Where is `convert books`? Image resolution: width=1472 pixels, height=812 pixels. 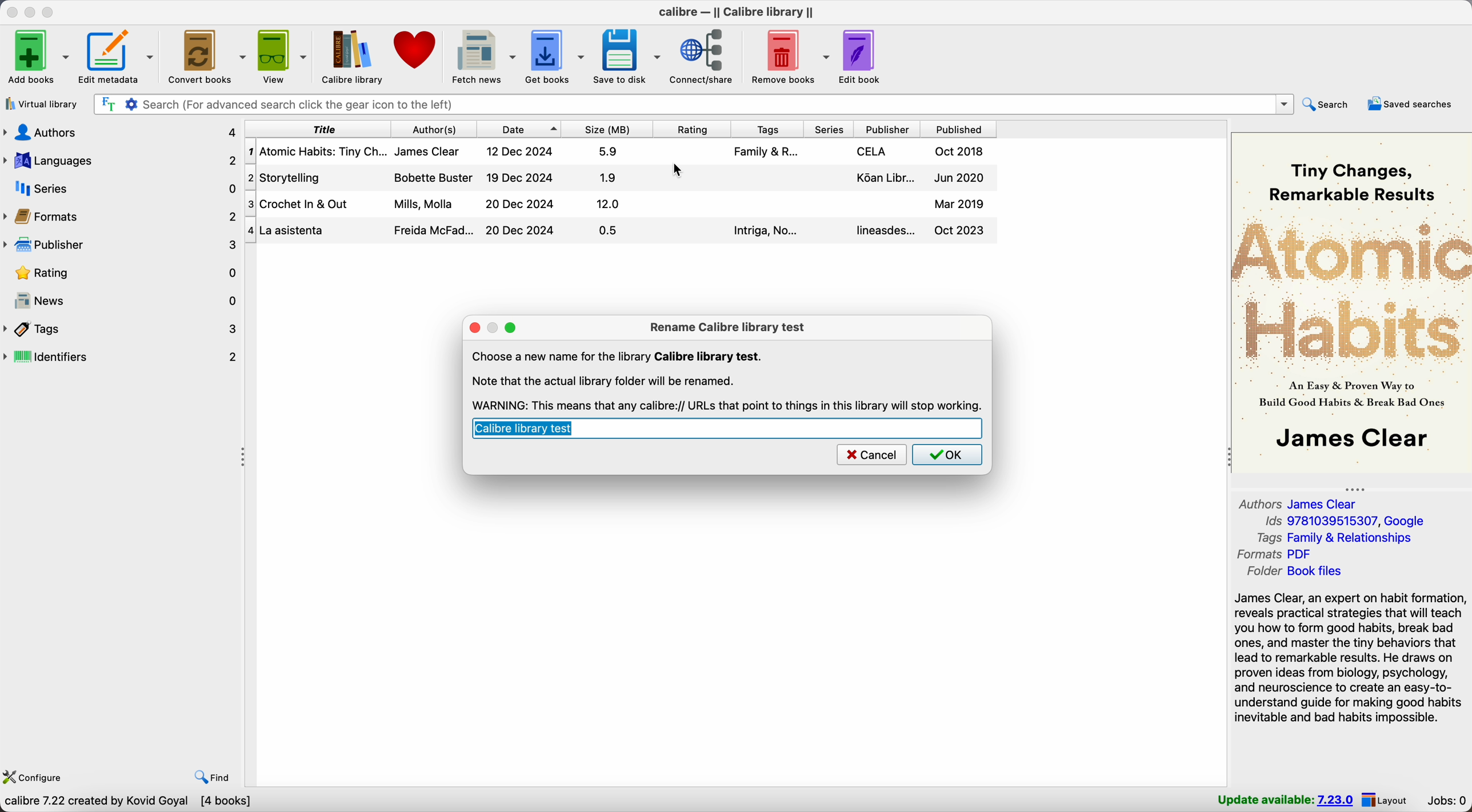
convert books is located at coordinates (207, 56).